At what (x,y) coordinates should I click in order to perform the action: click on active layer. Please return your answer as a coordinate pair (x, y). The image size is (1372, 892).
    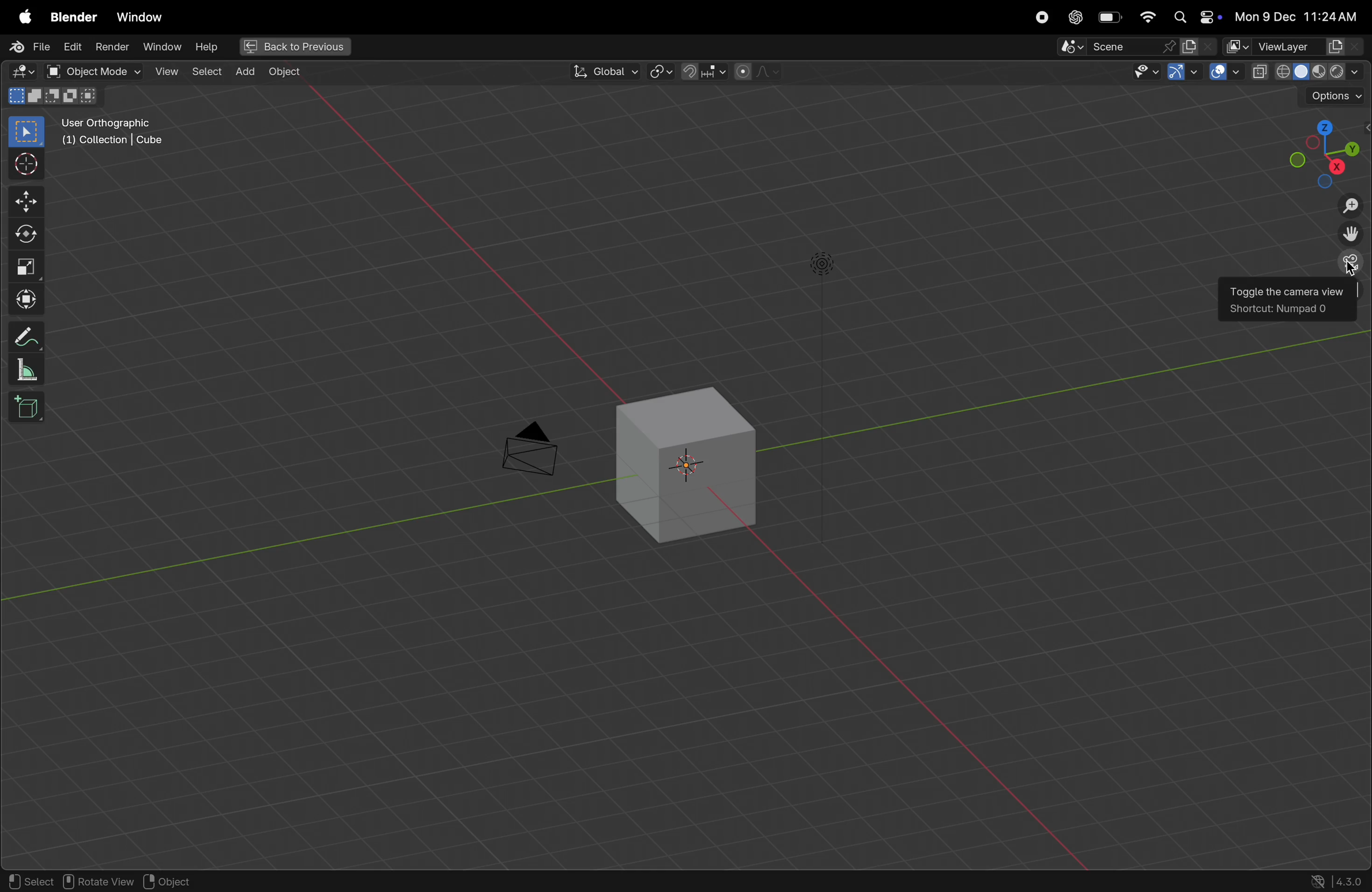
    Looking at the image, I should click on (1199, 47).